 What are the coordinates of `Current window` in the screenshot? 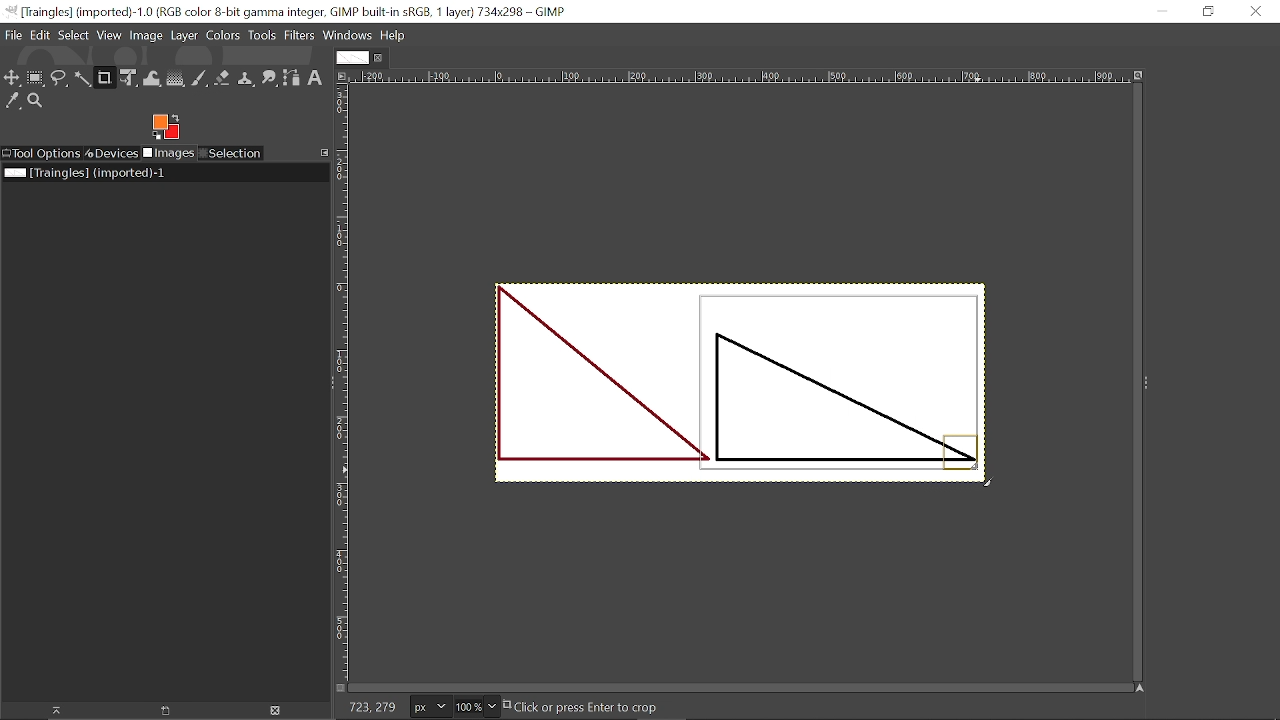 It's located at (290, 11).